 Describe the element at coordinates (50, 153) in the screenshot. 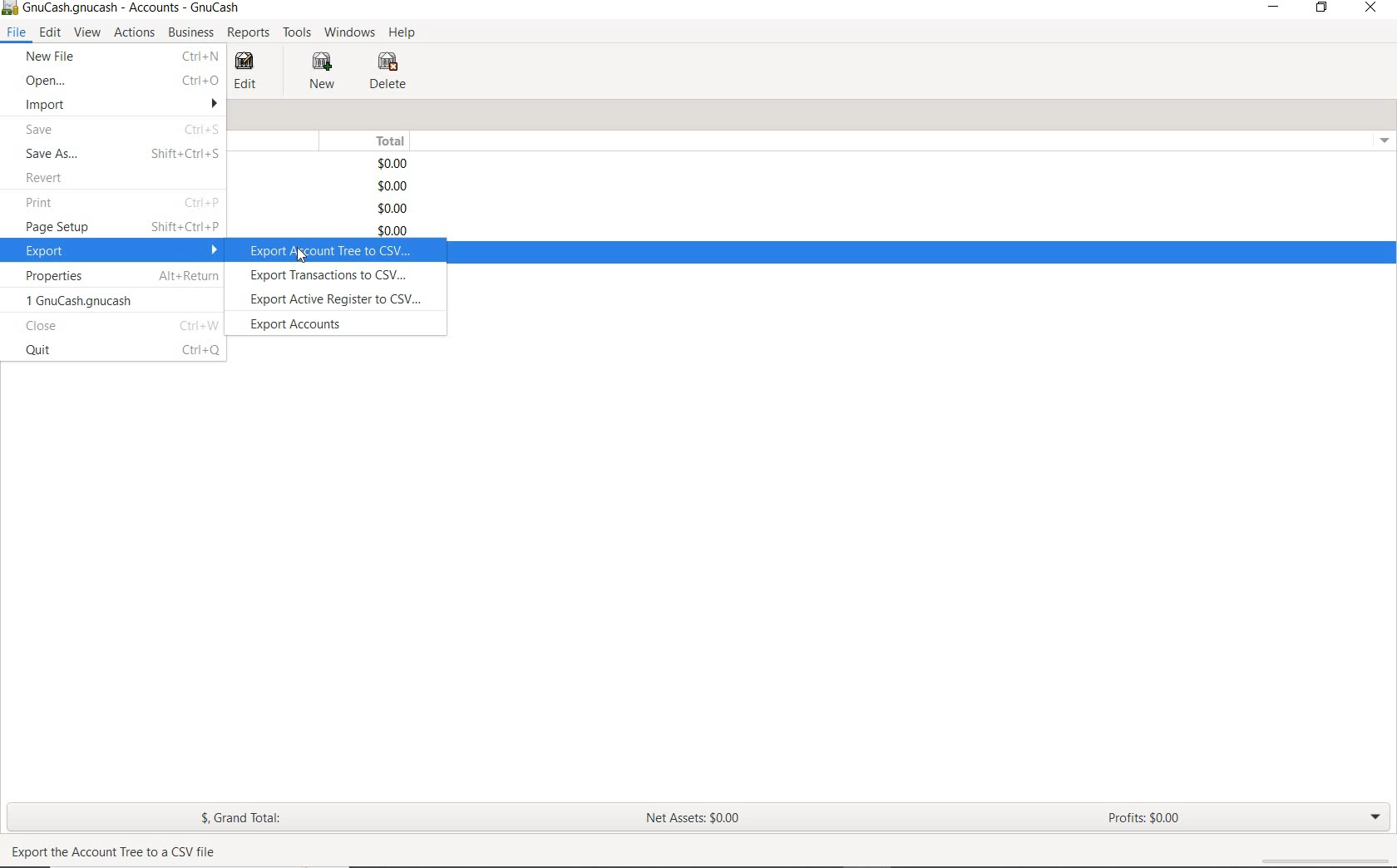

I see `SAVE AS` at that location.